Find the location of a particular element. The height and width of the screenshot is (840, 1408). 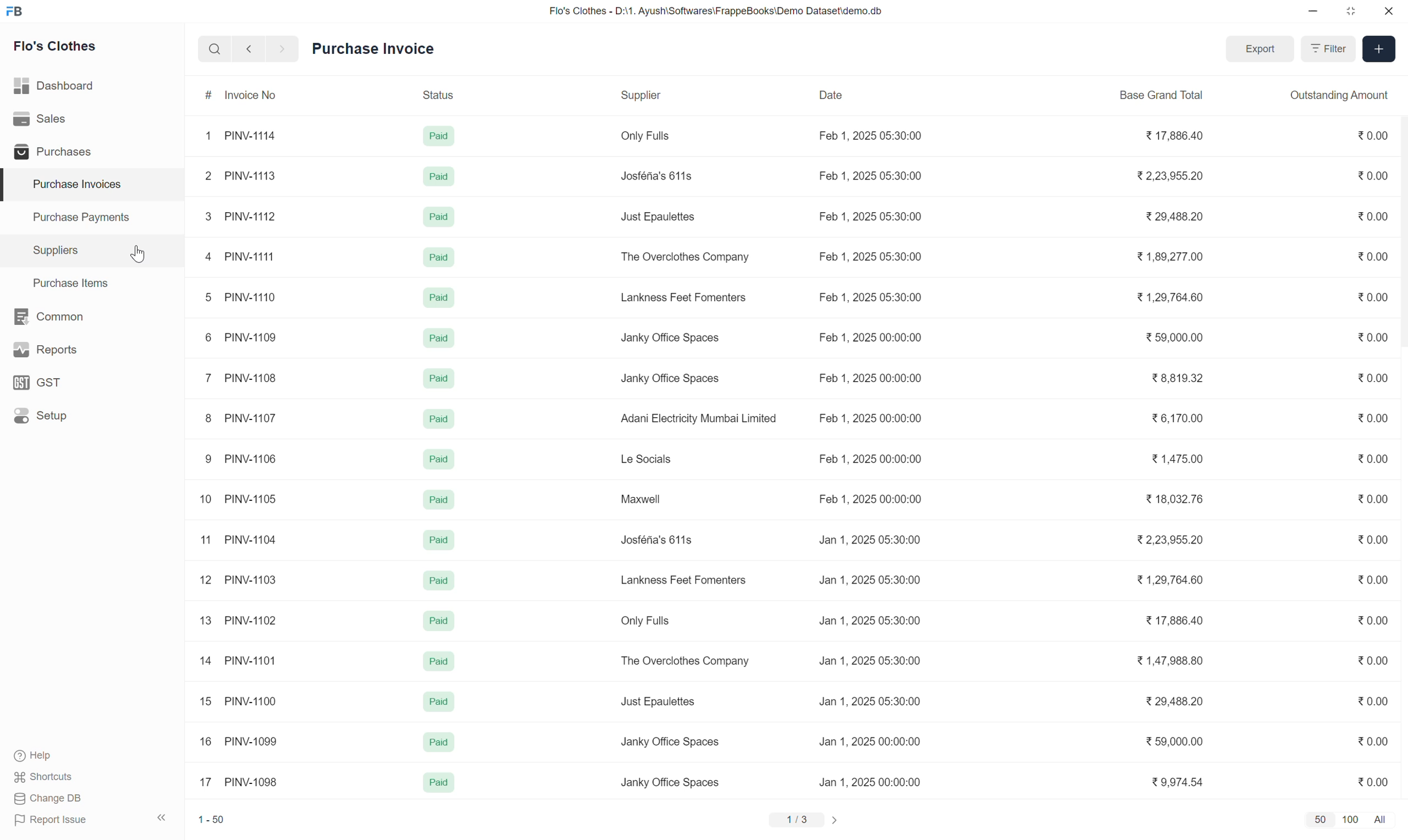

paid is located at coordinates (438, 702).